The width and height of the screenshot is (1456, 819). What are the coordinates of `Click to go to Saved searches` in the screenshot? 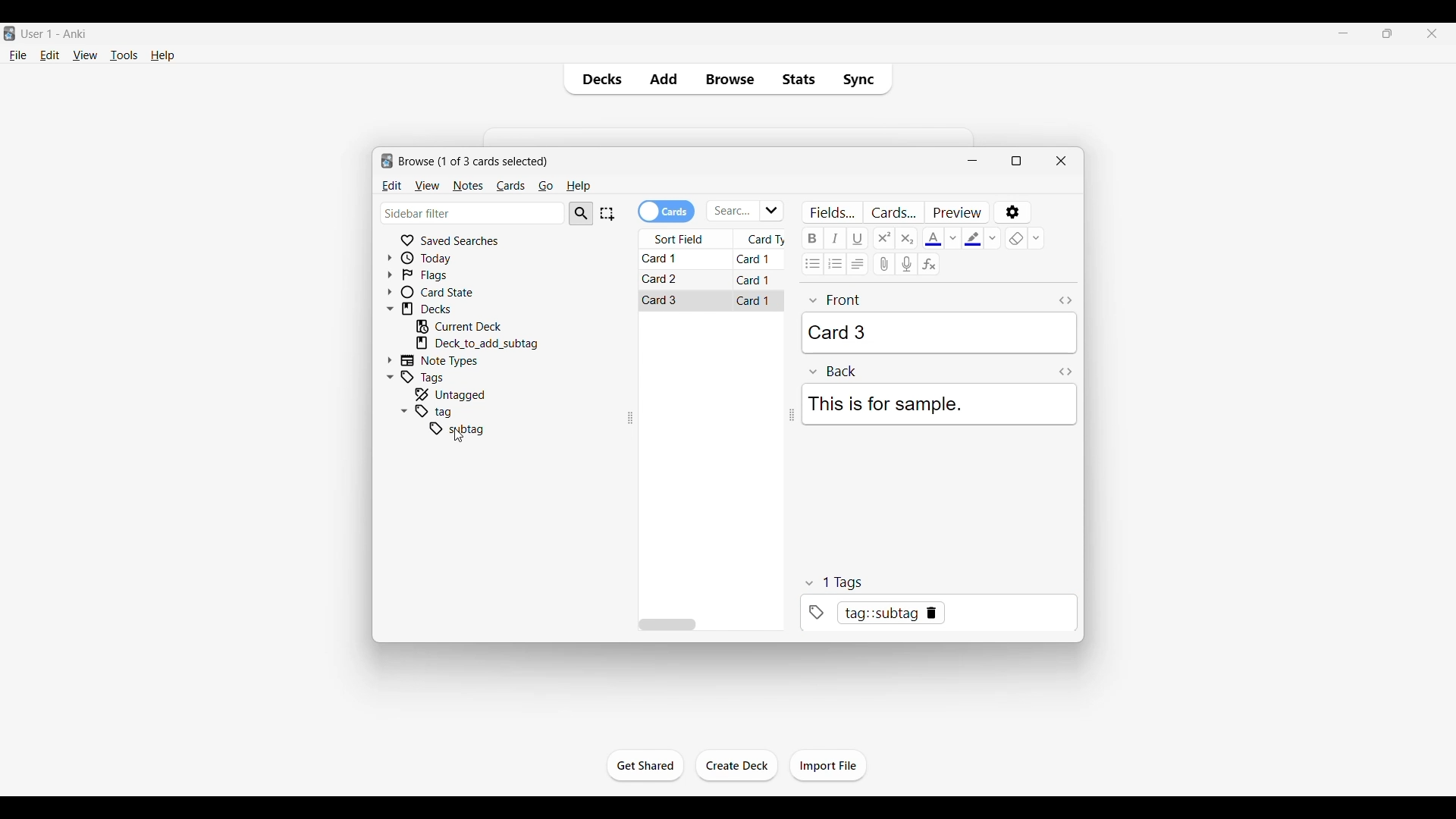 It's located at (448, 240).